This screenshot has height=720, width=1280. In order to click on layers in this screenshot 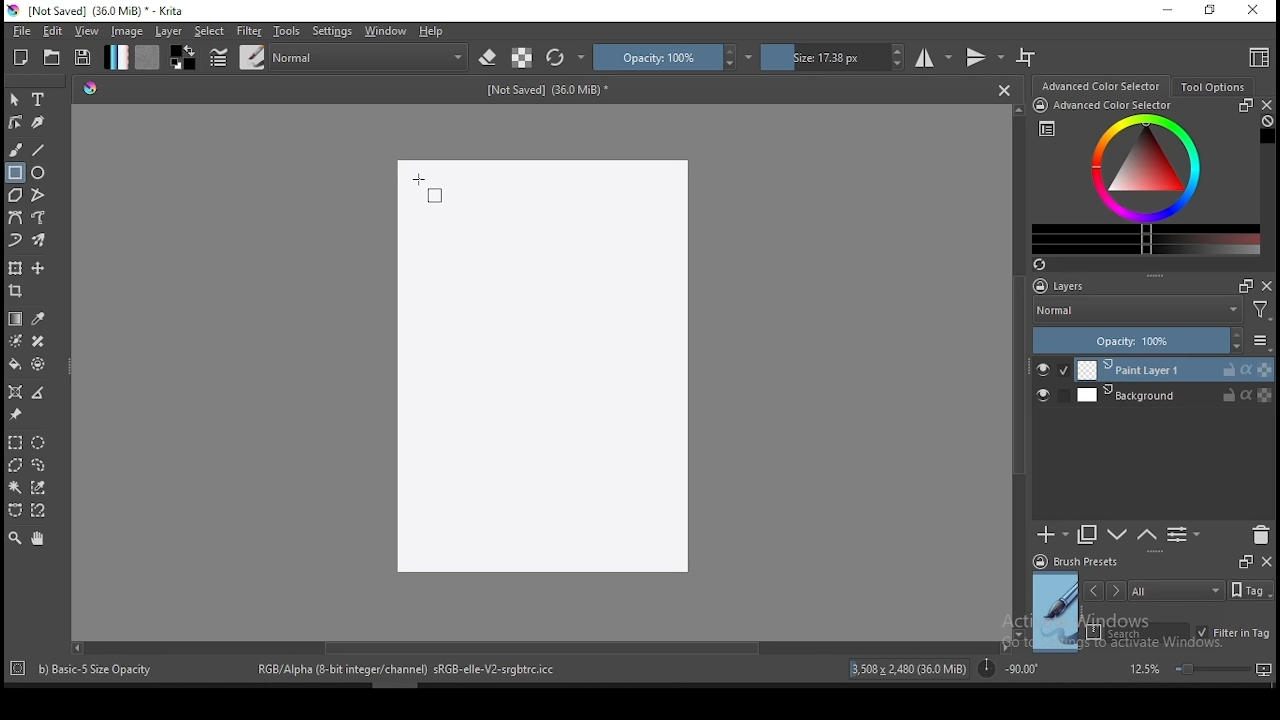, I will do `click(1065, 287)`.